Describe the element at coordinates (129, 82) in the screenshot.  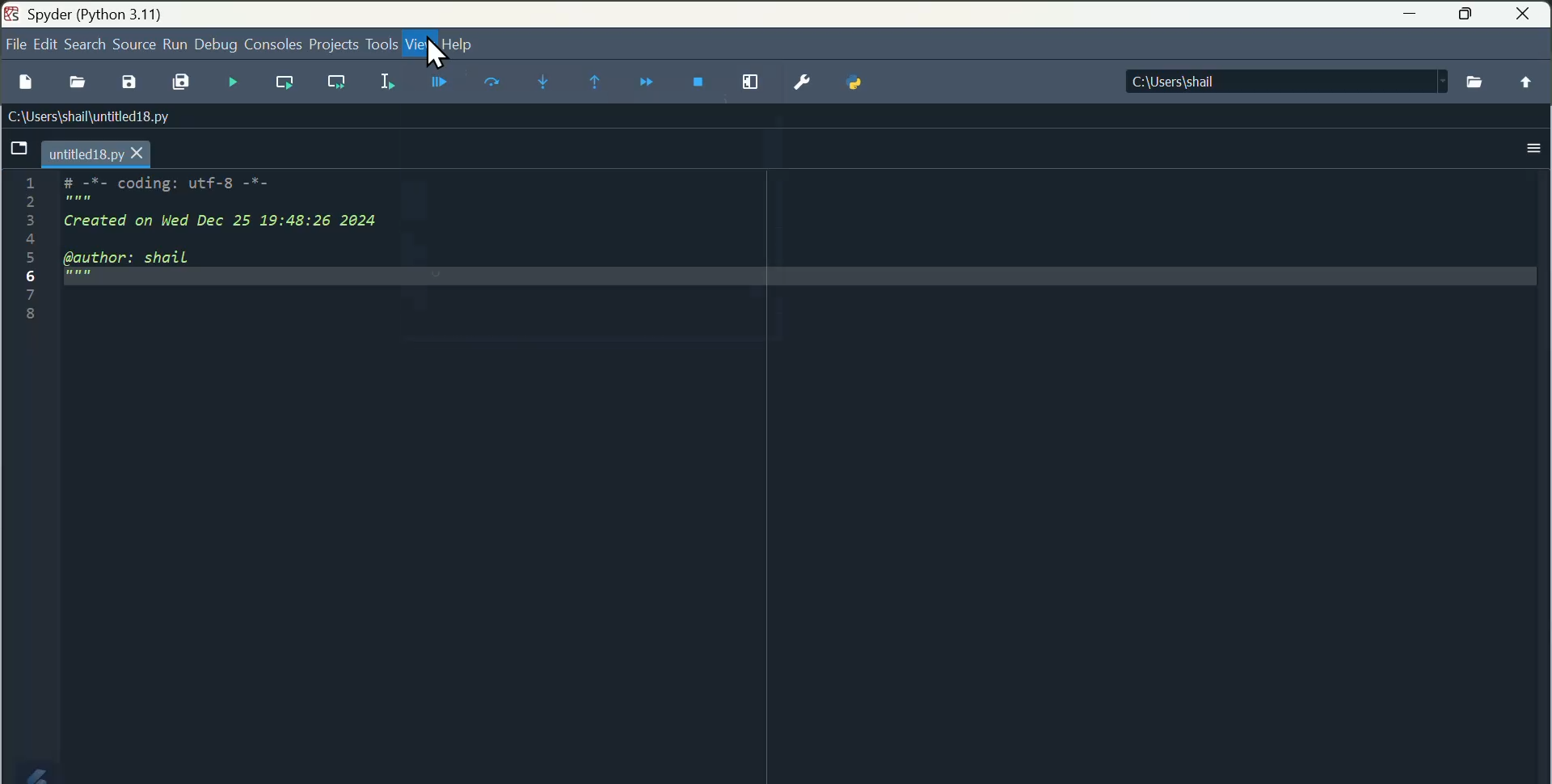
I see `Save file` at that location.